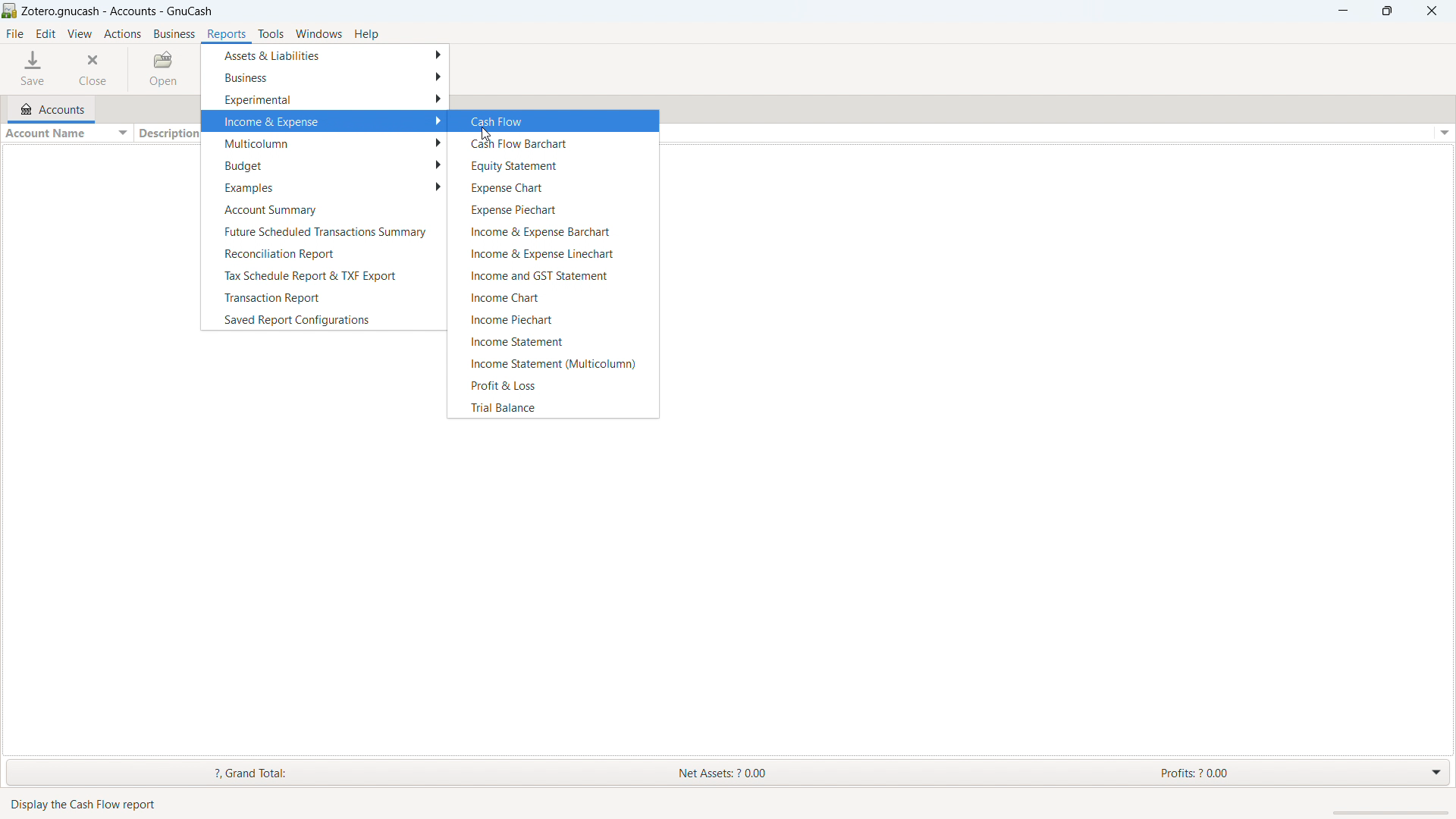 The width and height of the screenshot is (1456, 819). I want to click on view, so click(80, 33).